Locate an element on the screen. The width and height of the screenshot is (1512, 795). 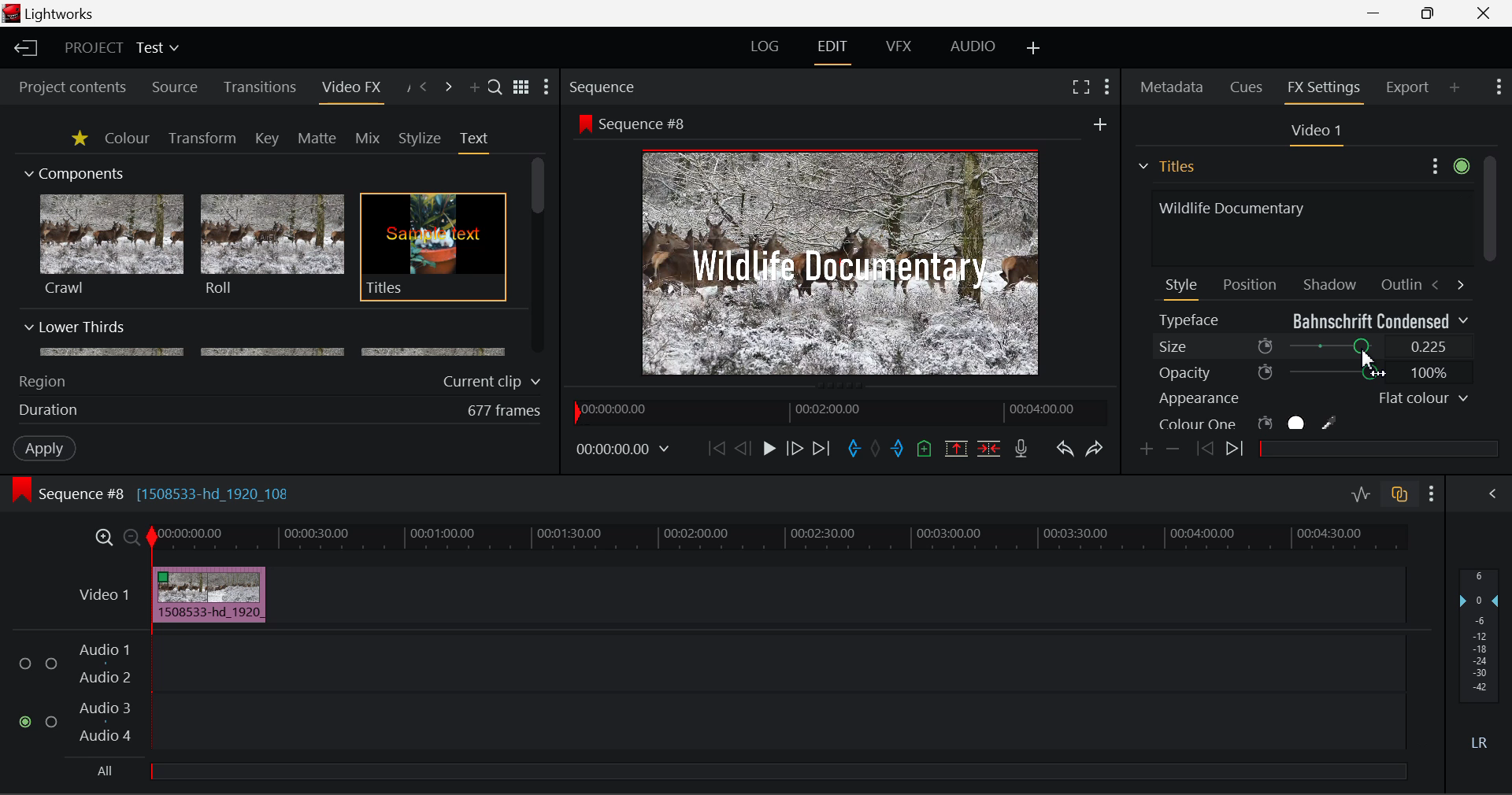
Audio Input is located at coordinates (773, 695).